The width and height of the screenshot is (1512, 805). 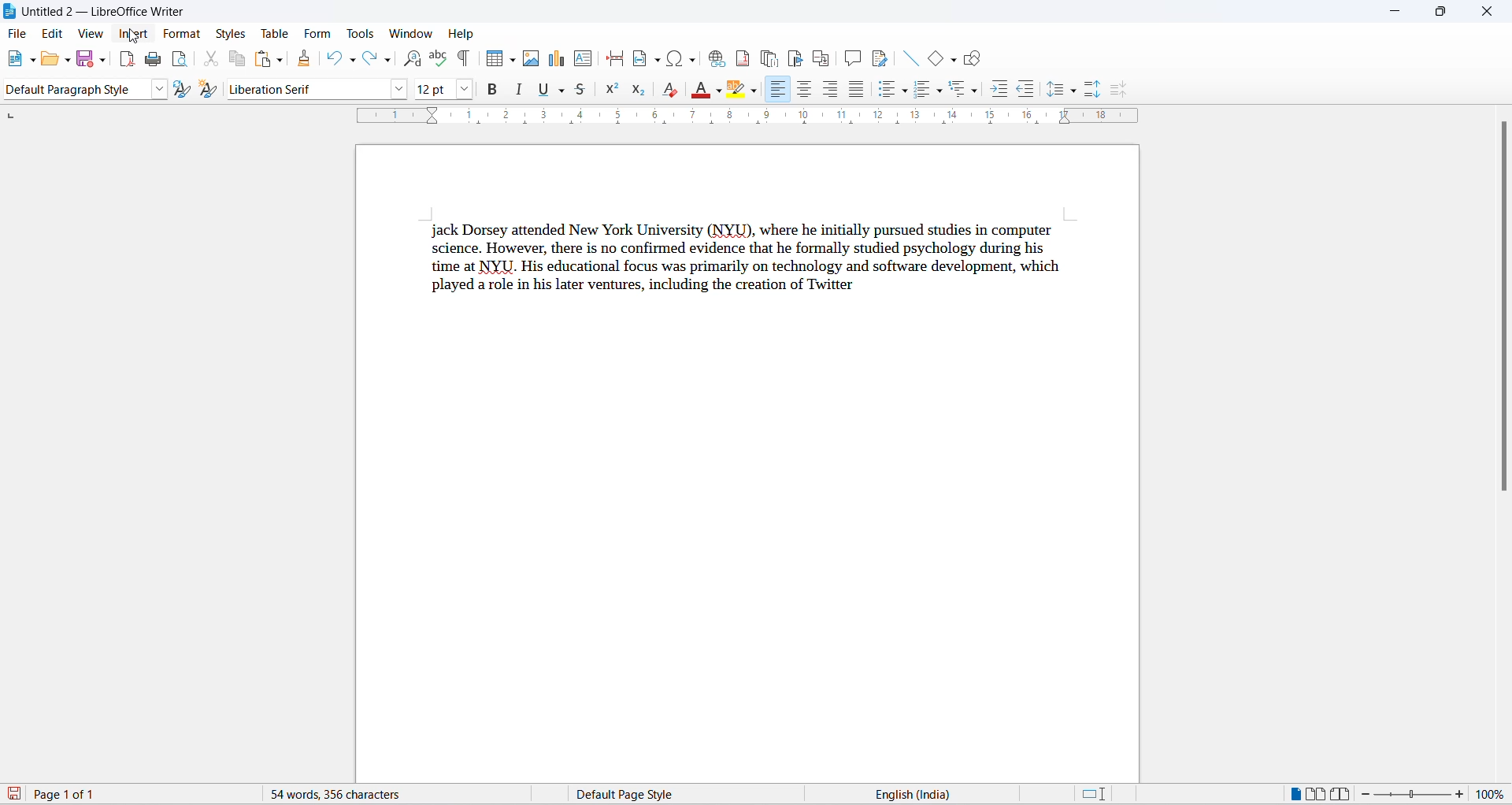 What do you see at coordinates (778, 88) in the screenshot?
I see `text align left` at bounding box center [778, 88].